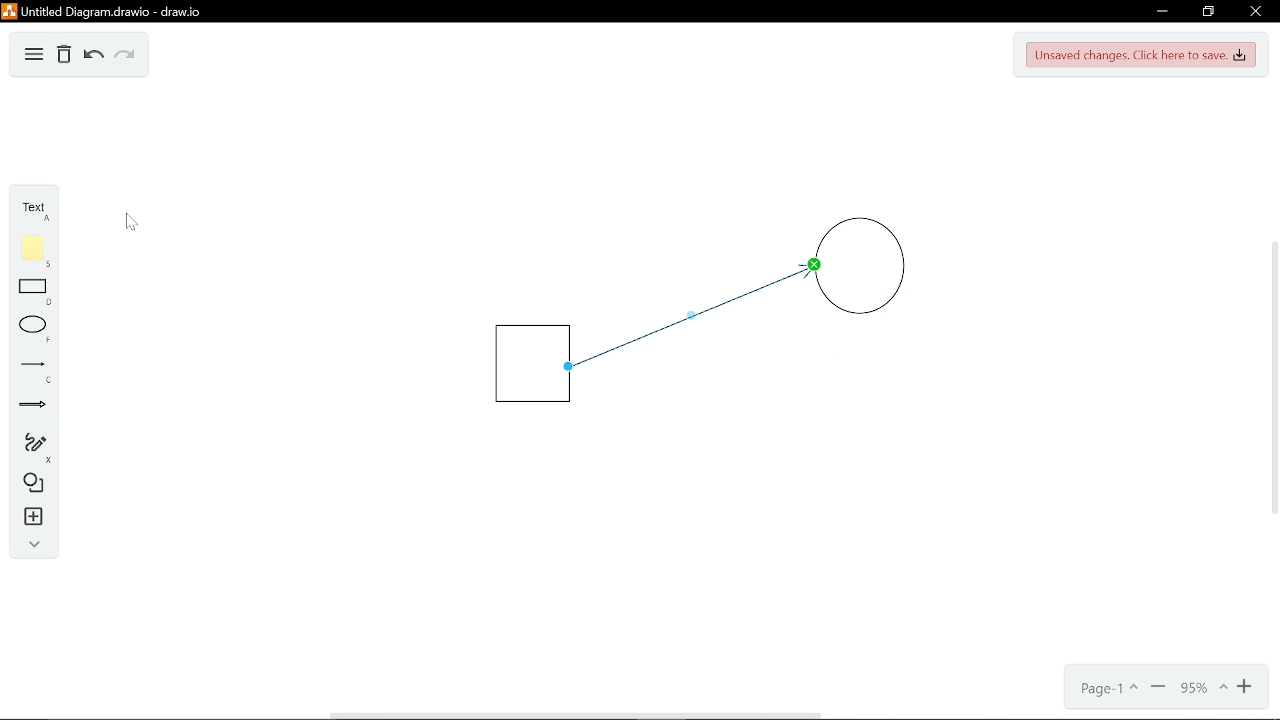  What do you see at coordinates (125, 56) in the screenshot?
I see `Redo` at bounding box center [125, 56].